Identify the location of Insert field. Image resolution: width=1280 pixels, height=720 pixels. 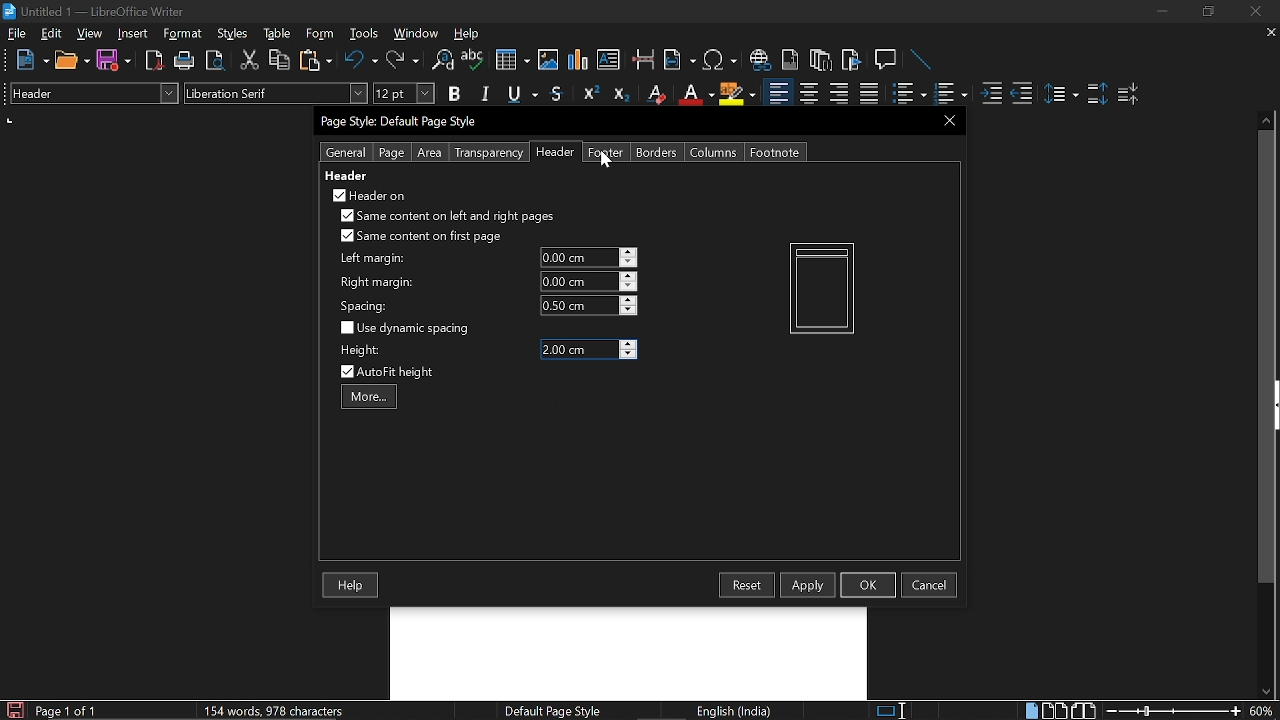
(680, 61).